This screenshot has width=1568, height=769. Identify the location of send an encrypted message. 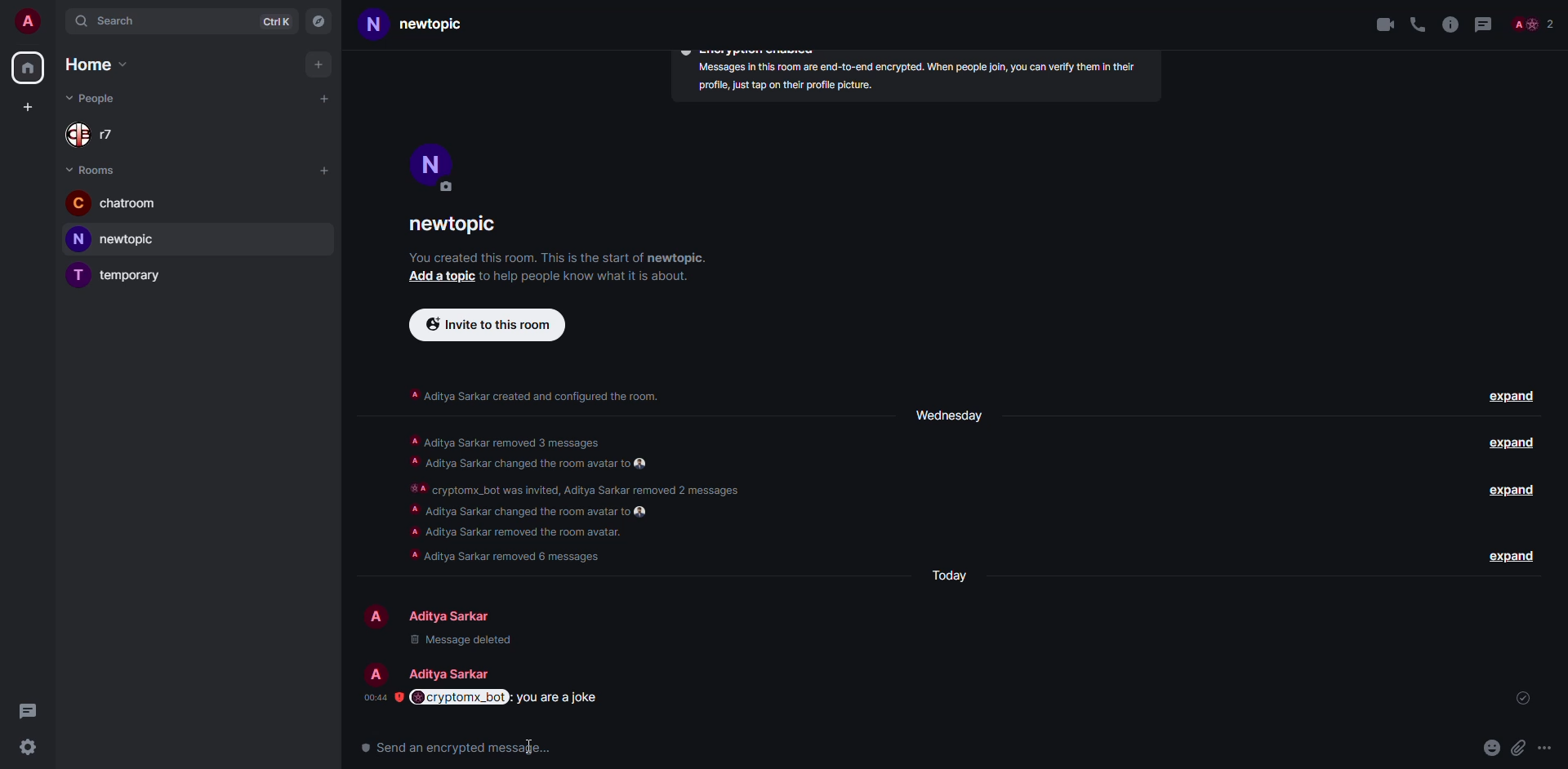
(465, 748).